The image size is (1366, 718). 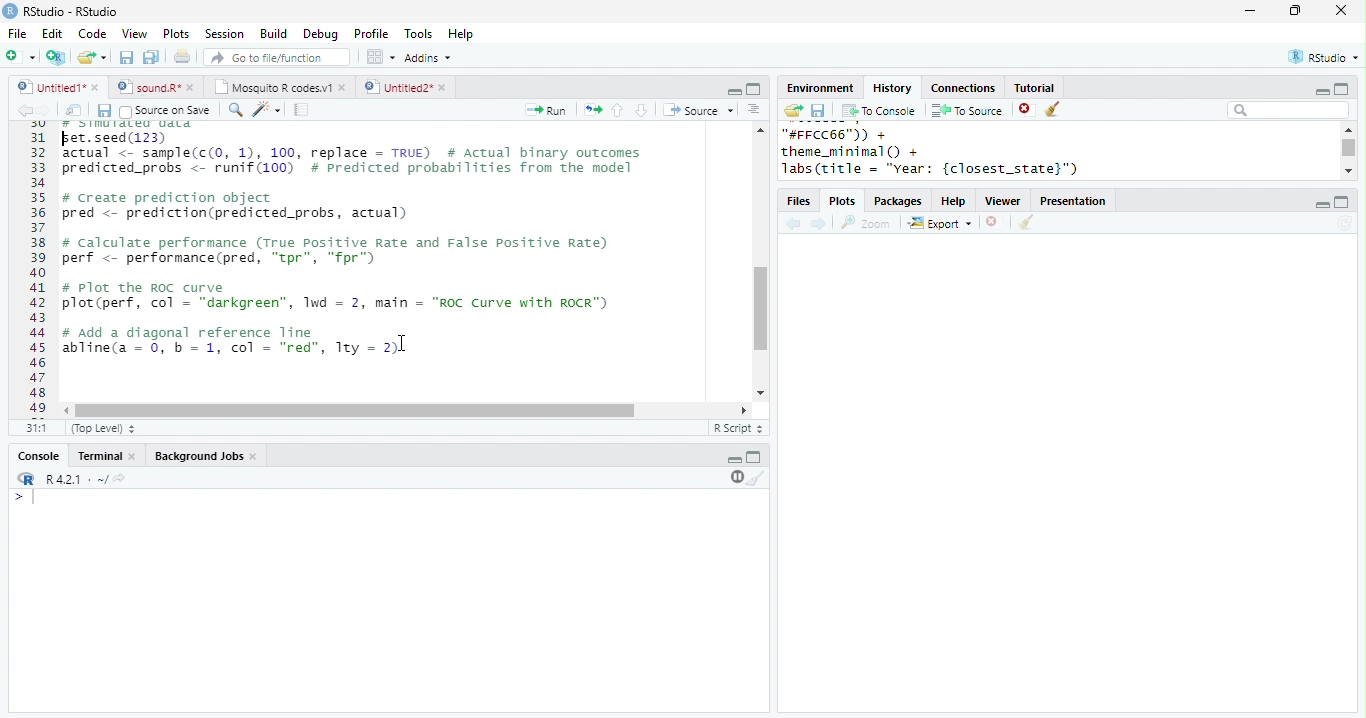 I want to click on Viewer, so click(x=1004, y=202).